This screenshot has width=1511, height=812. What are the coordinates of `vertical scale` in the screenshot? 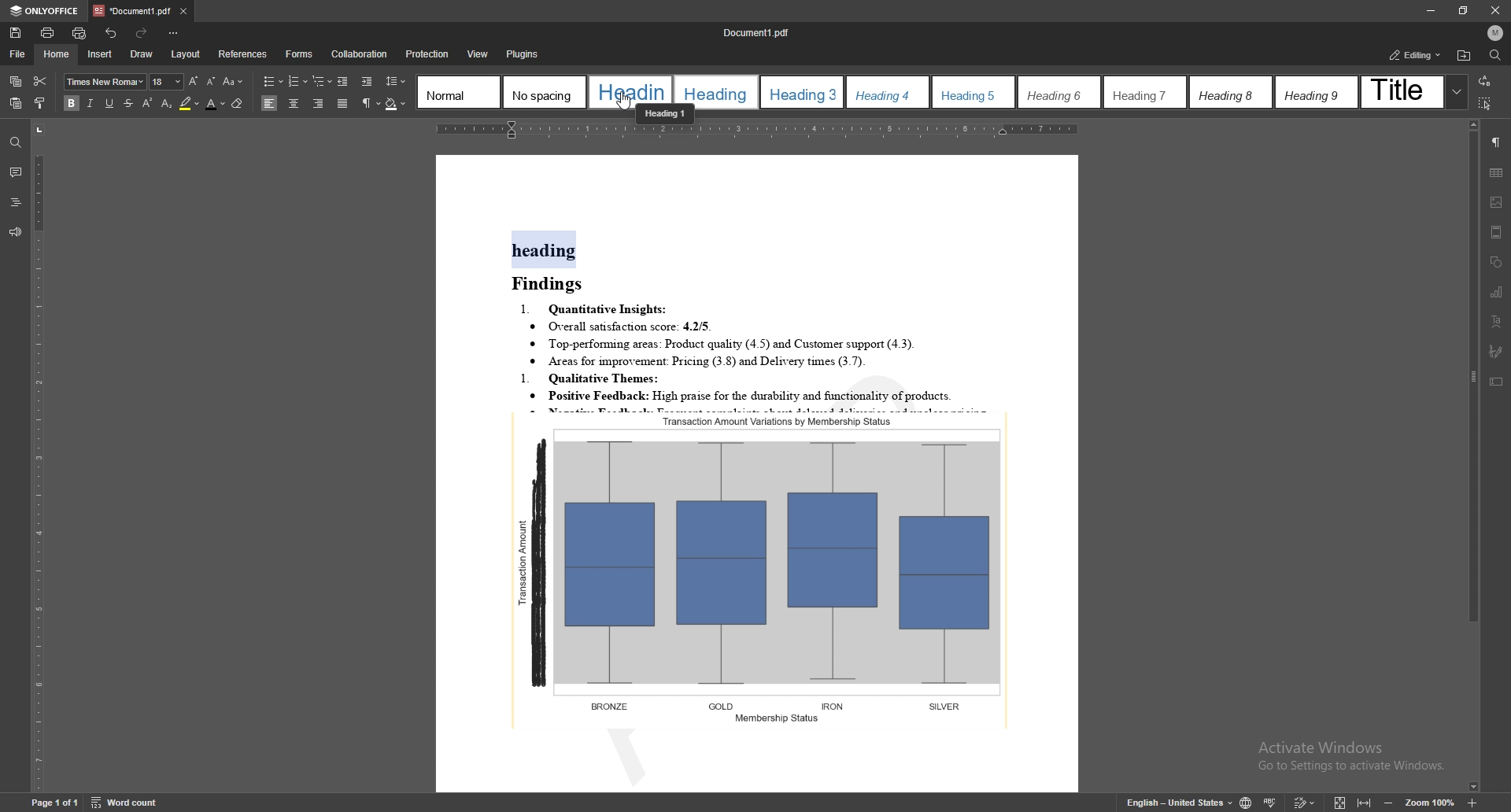 It's located at (39, 456).